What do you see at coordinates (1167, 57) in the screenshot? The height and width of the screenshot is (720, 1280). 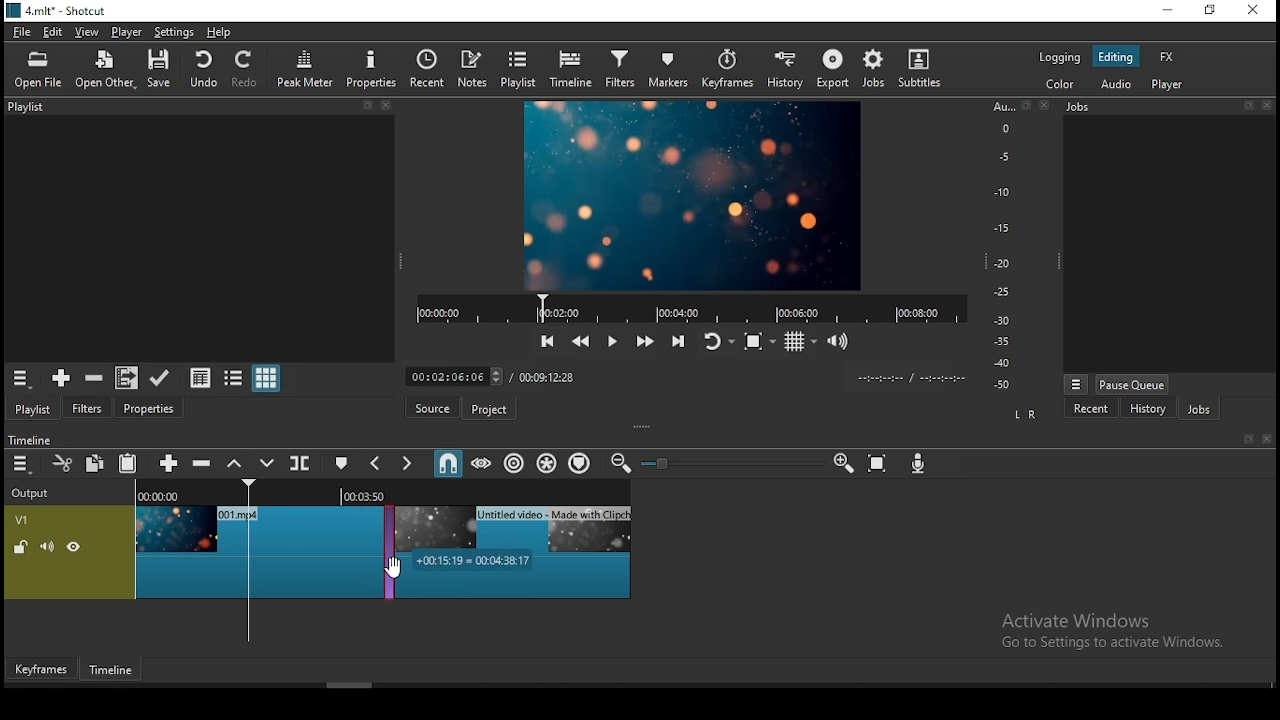 I see `fx` at bounding box center [1167, 57].